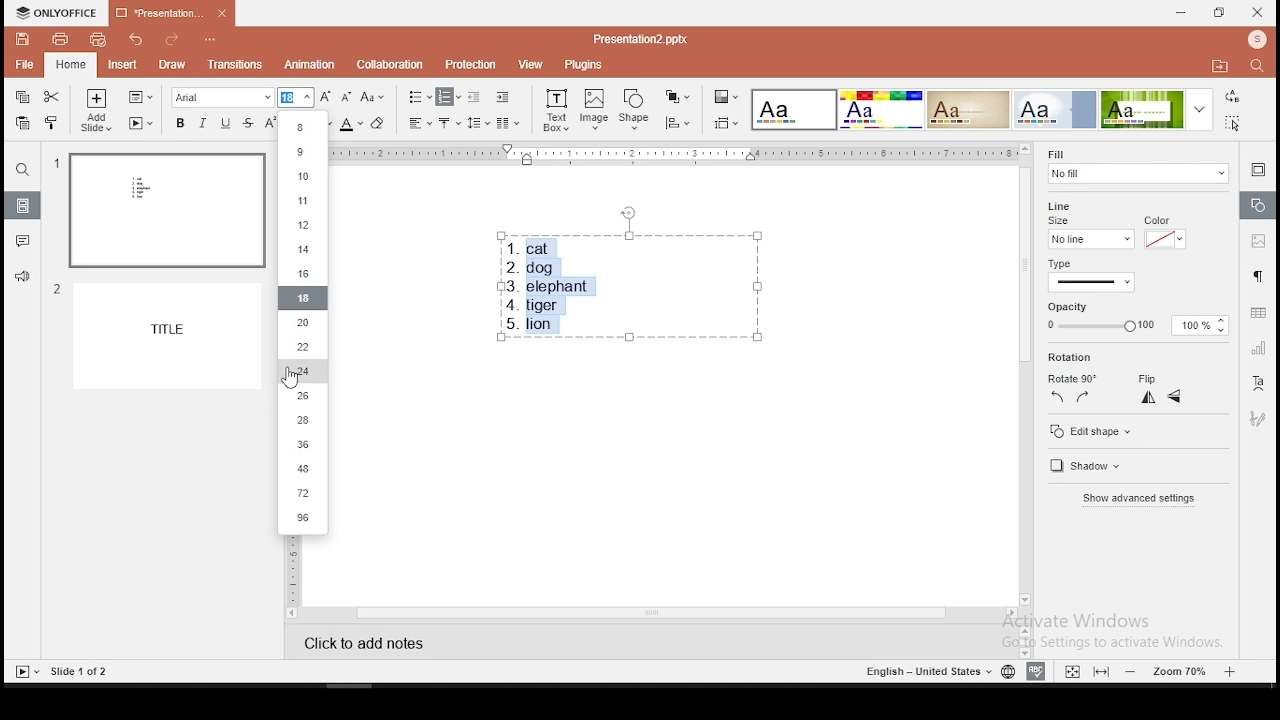  What do you see at coordinates (304, 399) in the screenshot?
I see `26` at bounding box center [304, 399].